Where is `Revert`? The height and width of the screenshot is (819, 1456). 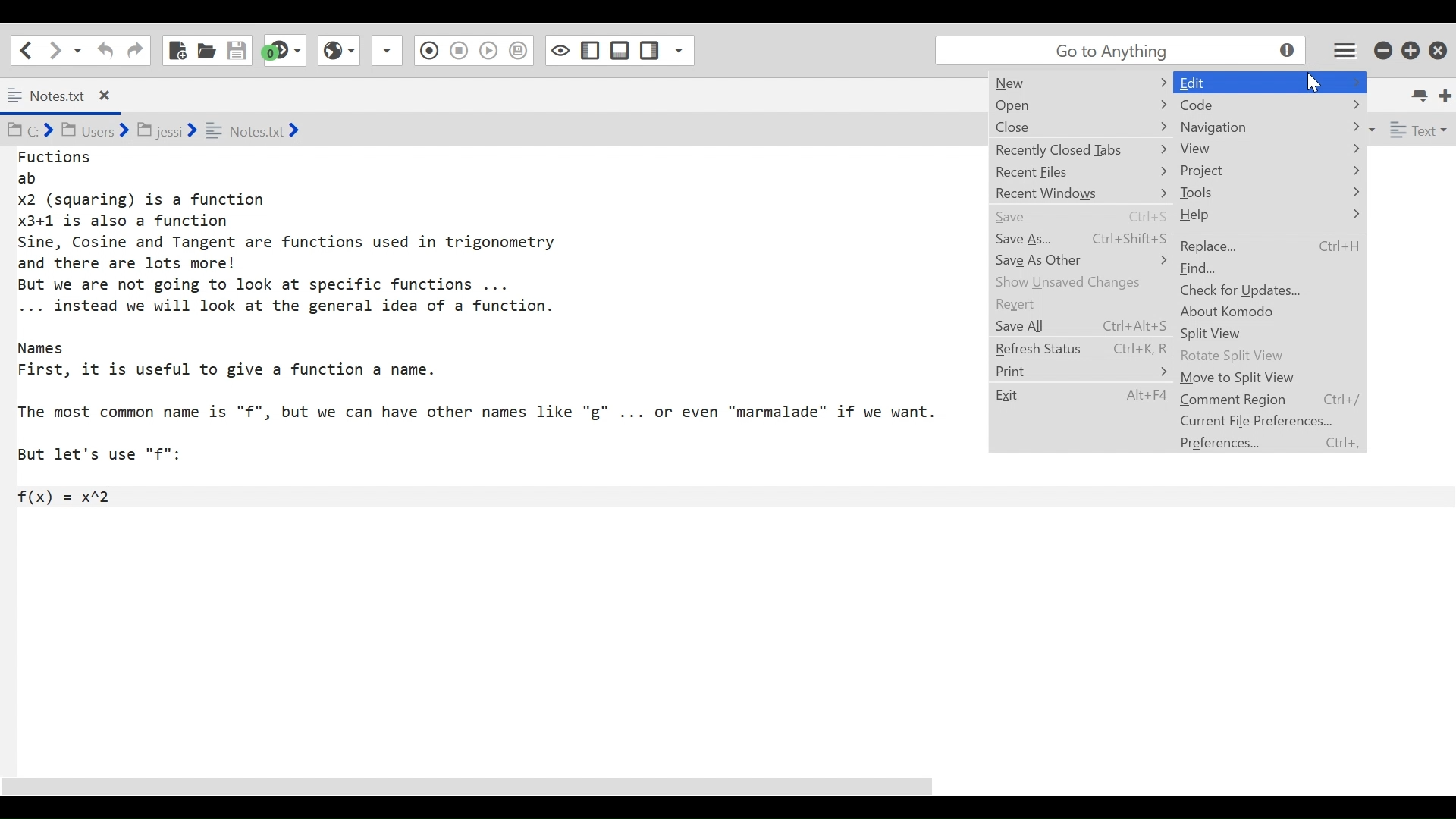
Revert is located at coordinates (1055, 306).